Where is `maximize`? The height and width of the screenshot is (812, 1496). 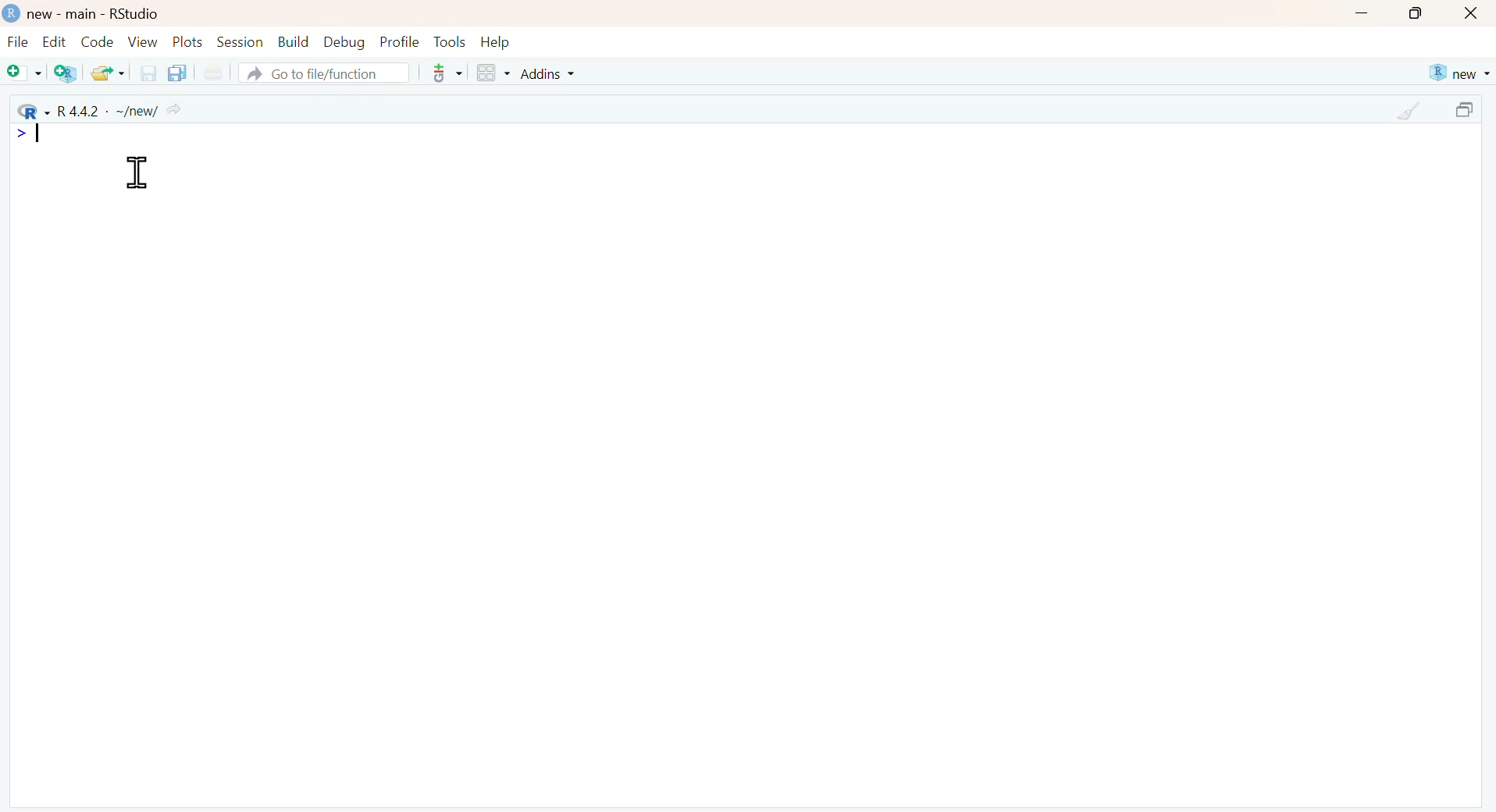 maximize is located at coordinates (1416, 13).